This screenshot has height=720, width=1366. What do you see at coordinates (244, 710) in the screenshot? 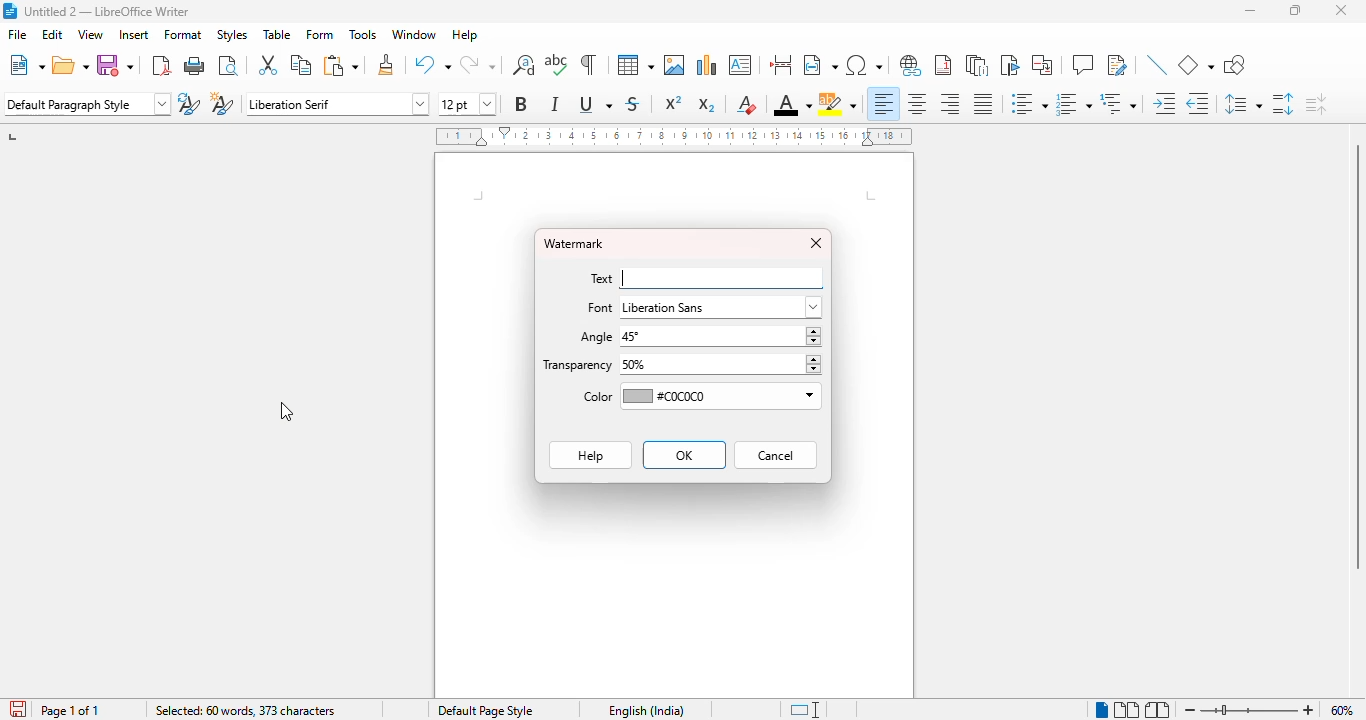
I see `selected 60 words, 373 characters` at bounding box center [244, 710].